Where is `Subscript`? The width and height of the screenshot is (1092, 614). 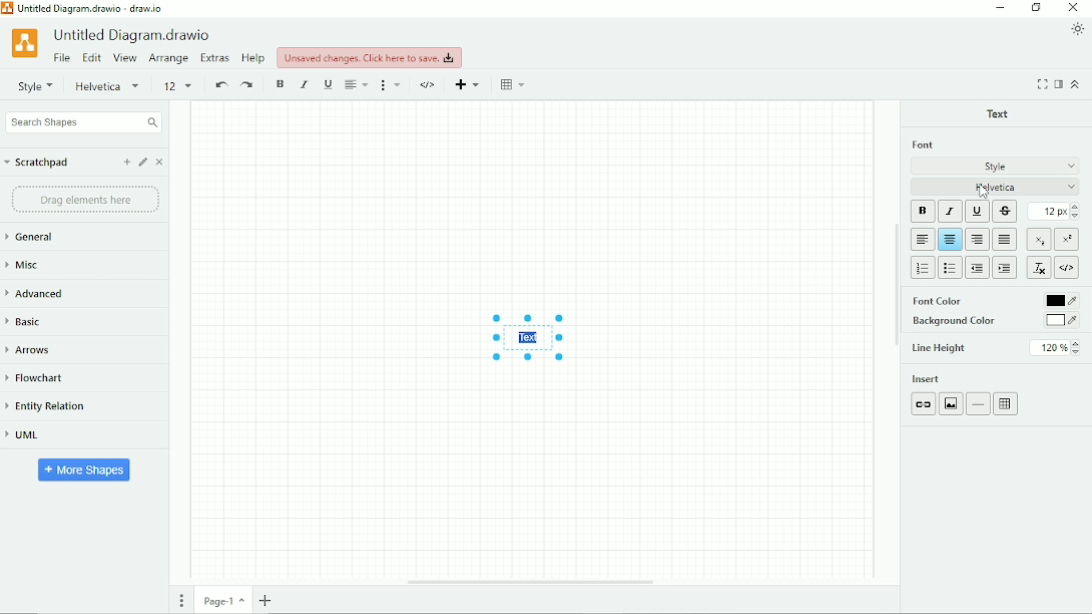 Subscript is located at coordinates (1039, 239).